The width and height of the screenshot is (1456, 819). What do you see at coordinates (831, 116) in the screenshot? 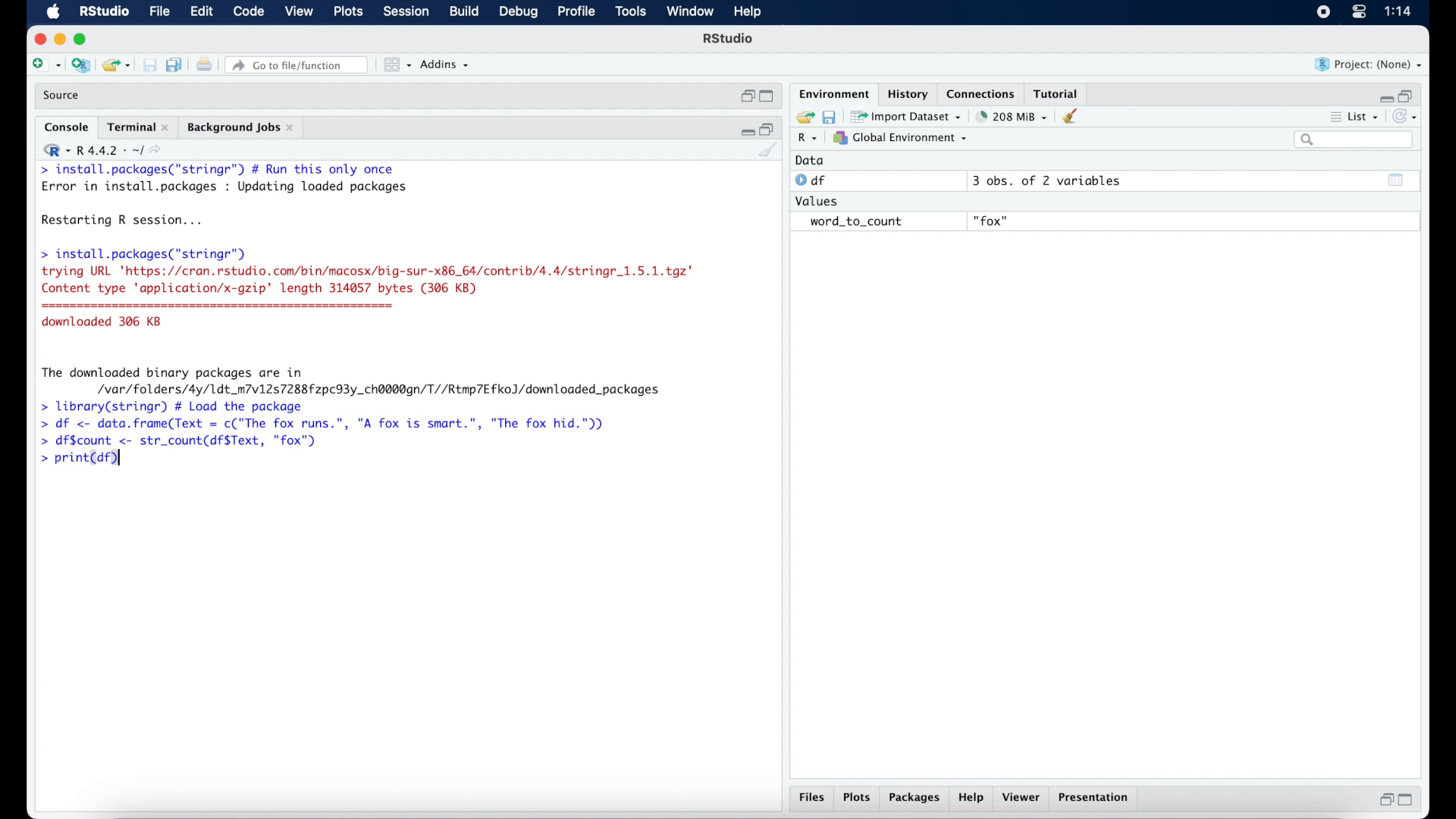
I see `save` at bounding box center [831, 116].